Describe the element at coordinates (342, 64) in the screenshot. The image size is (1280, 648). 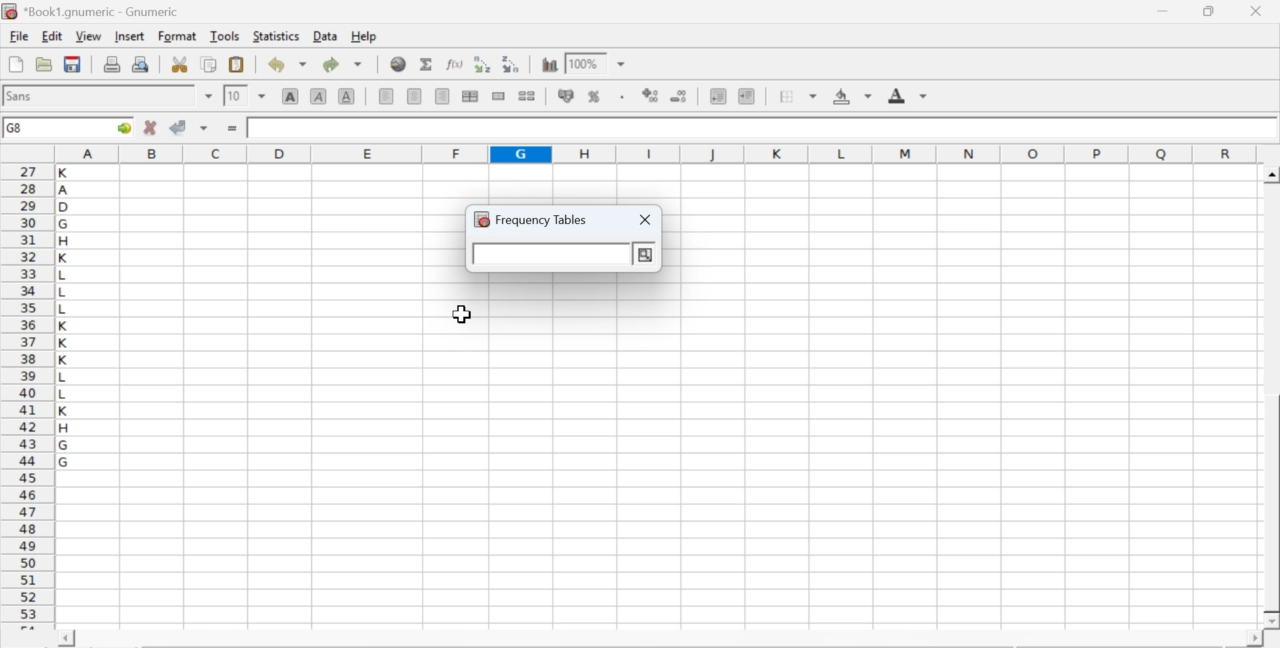
I see `redo` at that location.